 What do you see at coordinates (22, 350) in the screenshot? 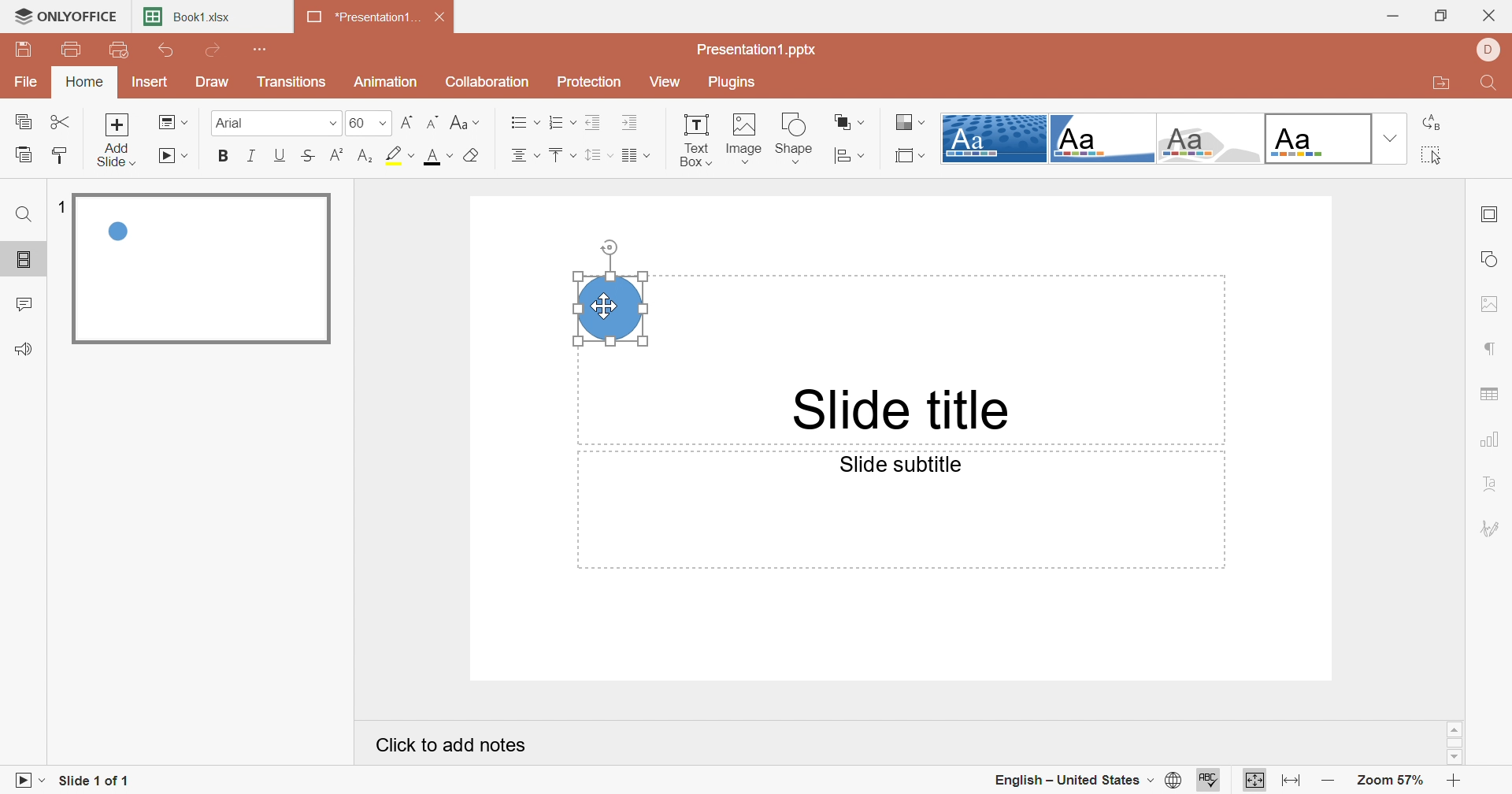
I see `Feedback & Support` at bounding box center [22, 350].